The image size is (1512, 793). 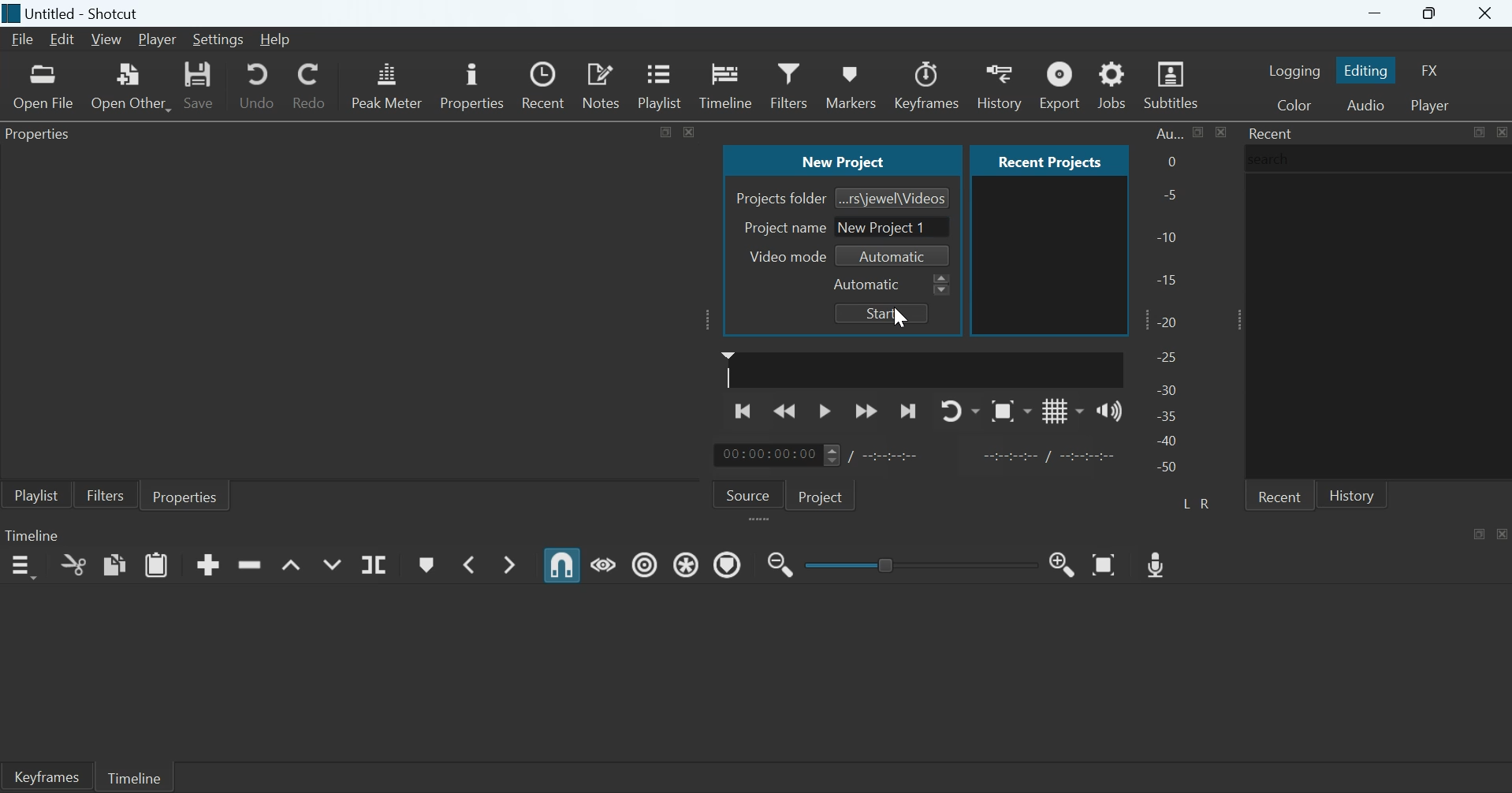 What do you see at coordinates (1106, 564) in the screenshot?
I see `Zoom timeline to fit` at bounding box center [1106, 564].